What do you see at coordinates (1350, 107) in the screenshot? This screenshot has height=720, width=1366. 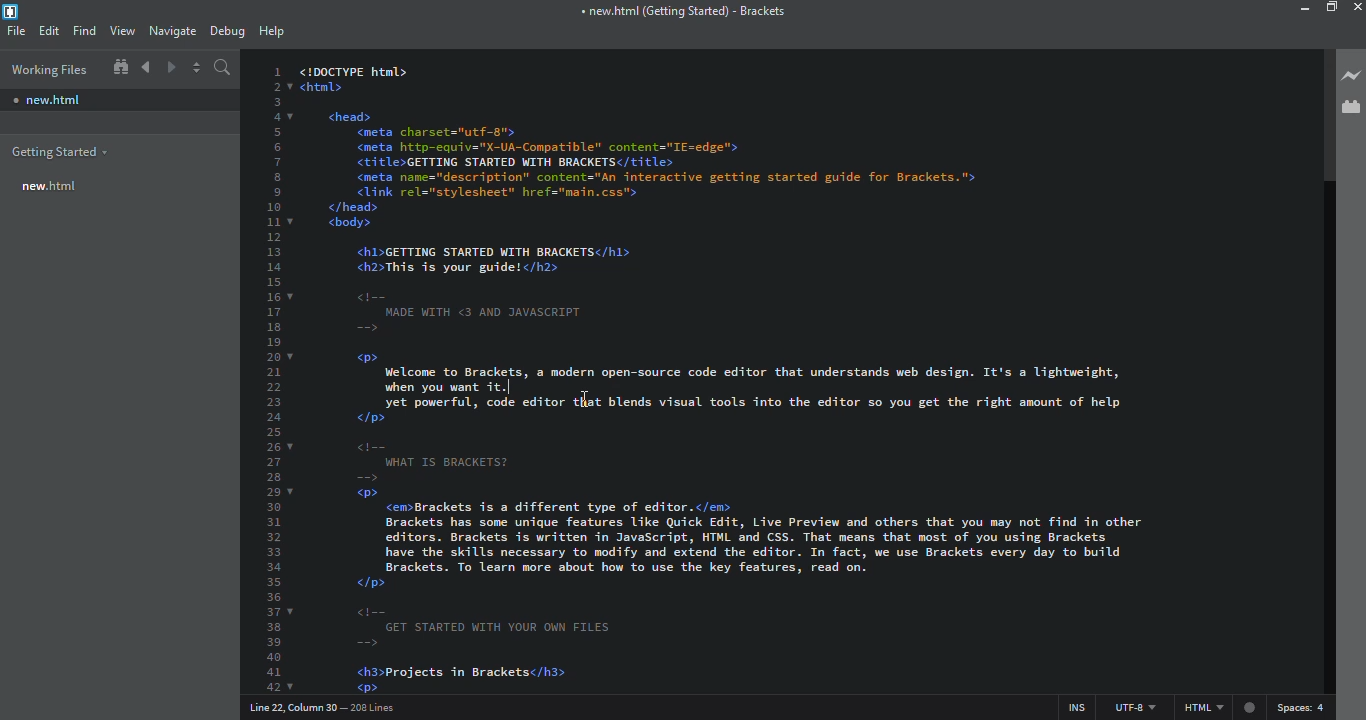 I see `extension manager` at bounding box center [1350, 107].